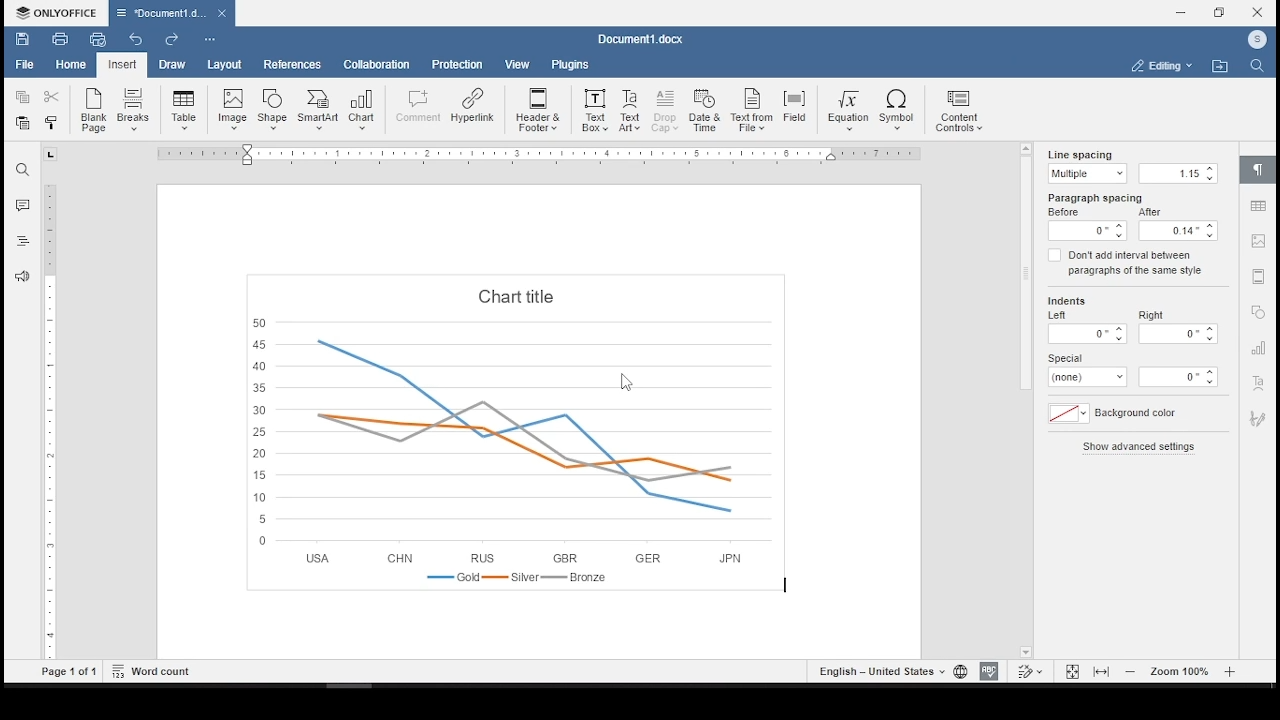 The height and width of the screenshot is (720, 1280). Describe the element at coordinates (528, 155) in the screenshot. I see `ruler` at that location.